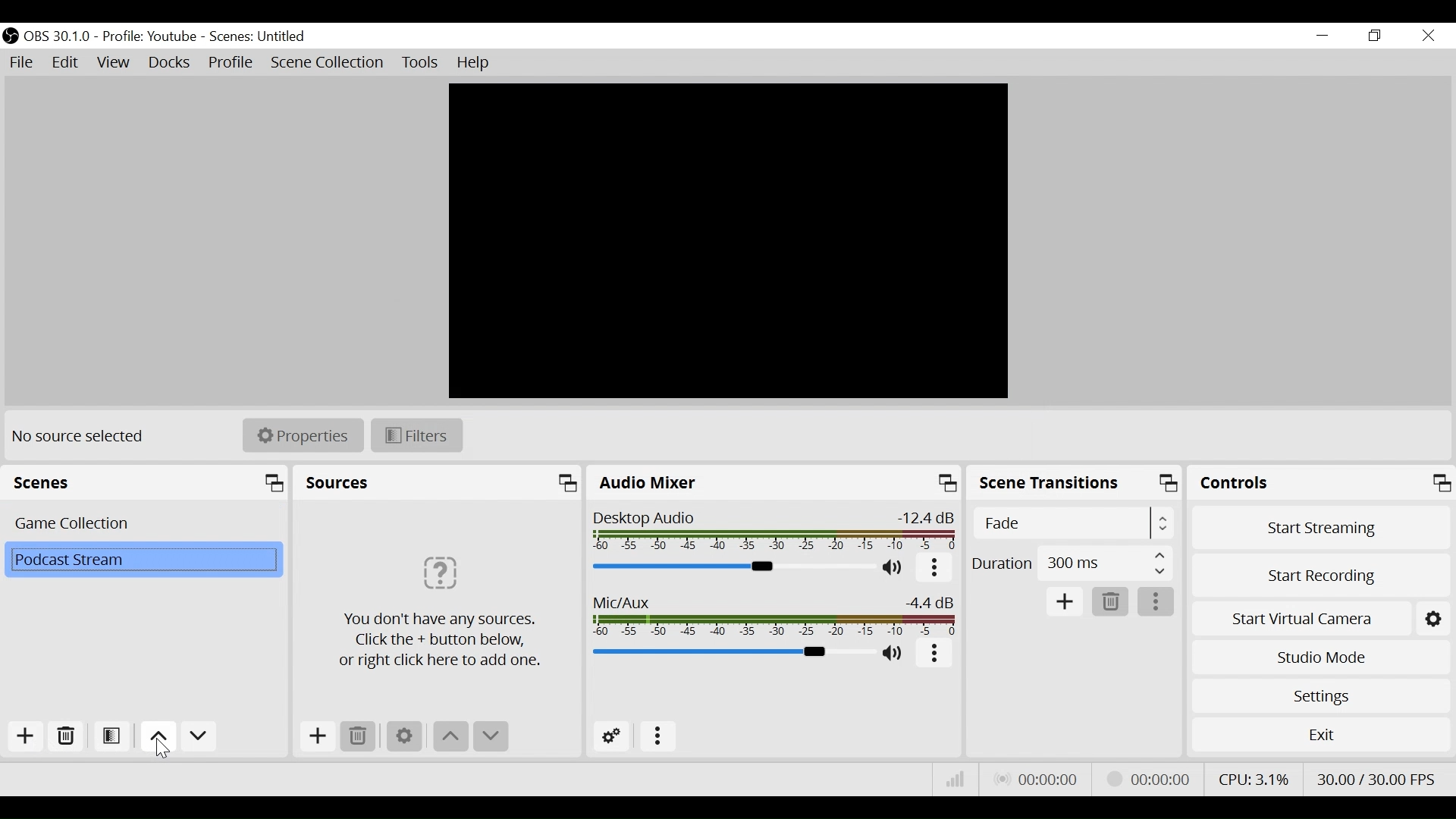 The width and height of the screenshot is (1456, 819). Describe the element at coordinates (1321, 524) in the screenshot. I see `Start Streaming` at that location.